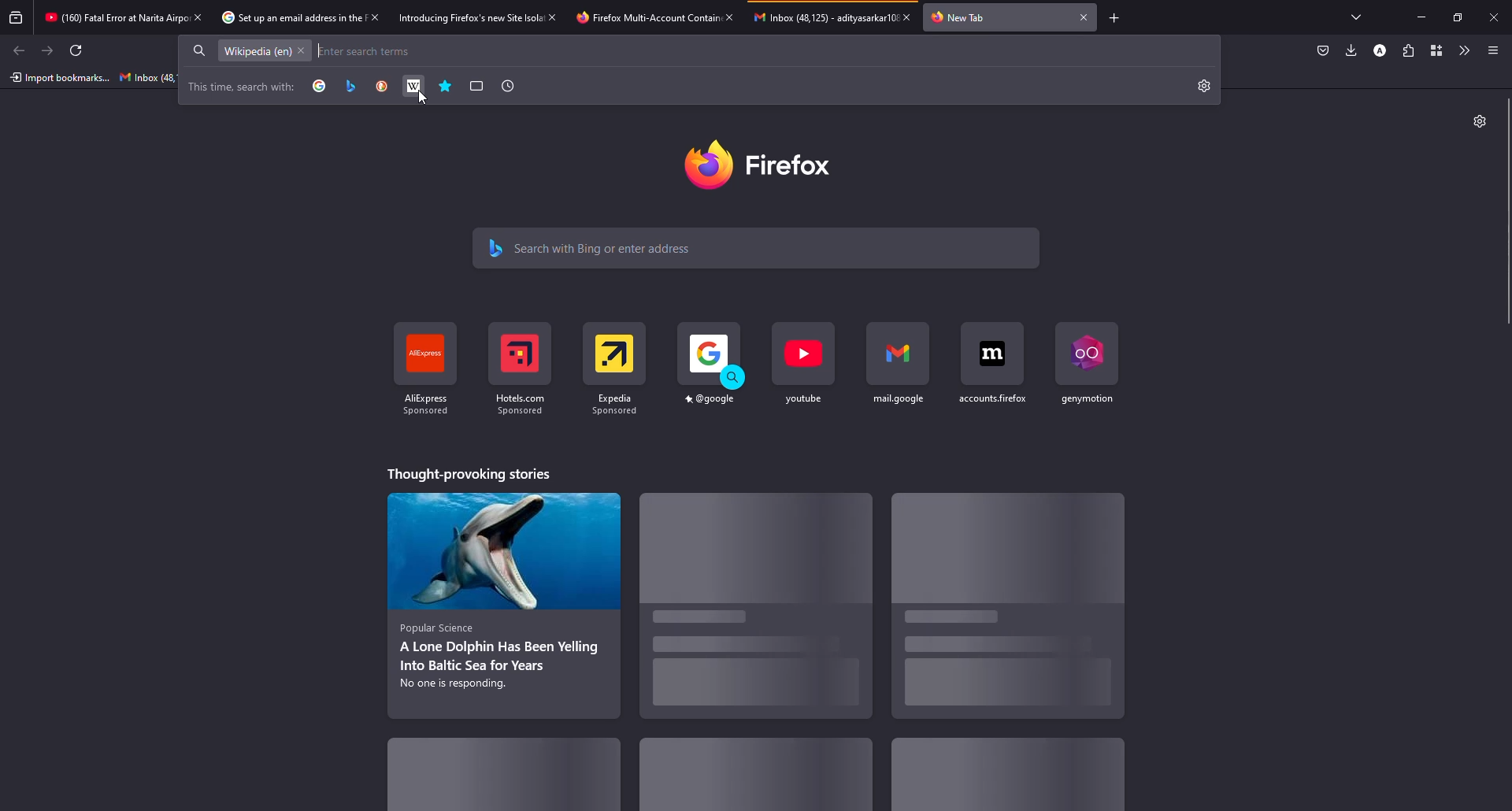 This screenshot has width=1512, height=811. I want to click on tab, so click(109, 15).